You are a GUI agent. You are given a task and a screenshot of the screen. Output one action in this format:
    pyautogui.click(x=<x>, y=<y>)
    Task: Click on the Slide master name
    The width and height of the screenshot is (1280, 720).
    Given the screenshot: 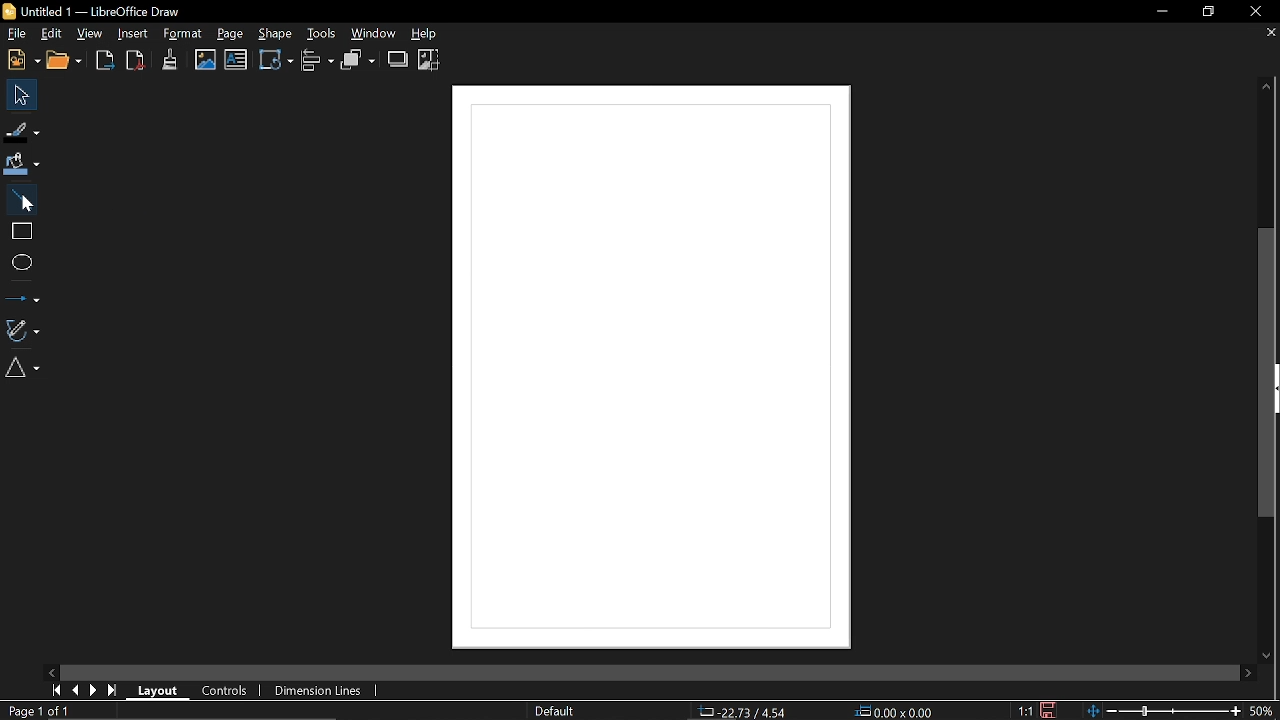 What is the action you would take?
    pyautogui.click(x=572, y=710)
    